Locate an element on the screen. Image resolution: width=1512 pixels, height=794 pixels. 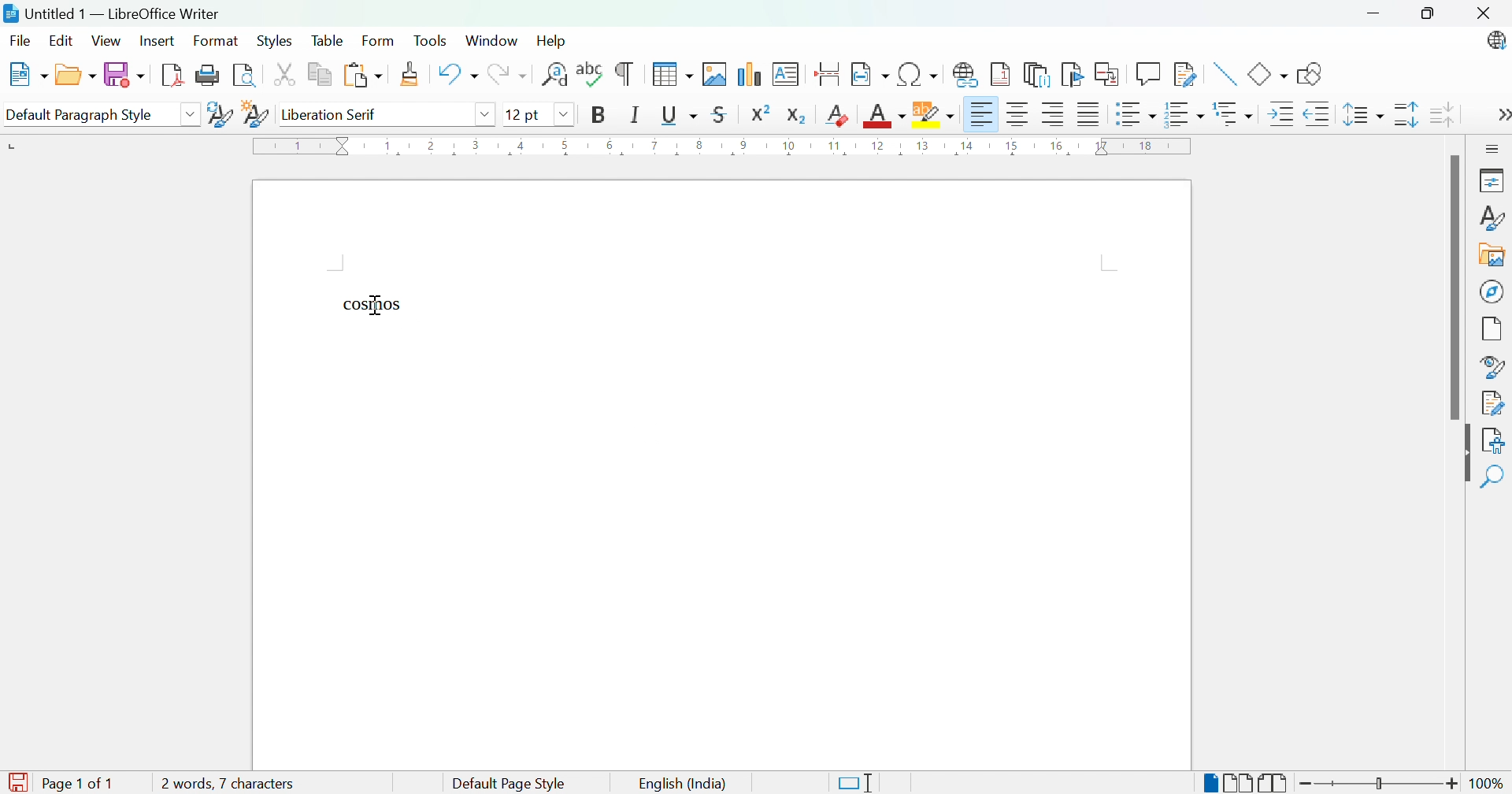
LibreOffice update available is located at coordinates (1491, 43).